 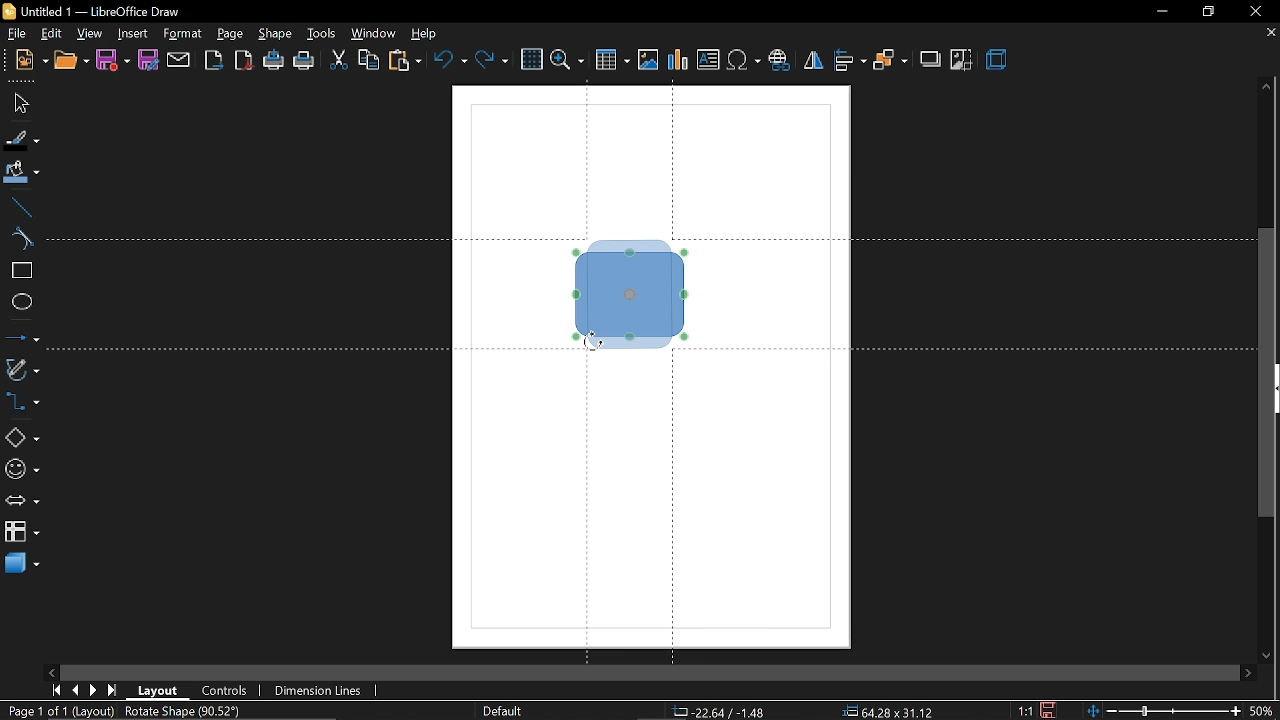 What do you see at coordinates (22, 532) in the screenshot?
I see `flowchart` at bounding box center [22, 532].